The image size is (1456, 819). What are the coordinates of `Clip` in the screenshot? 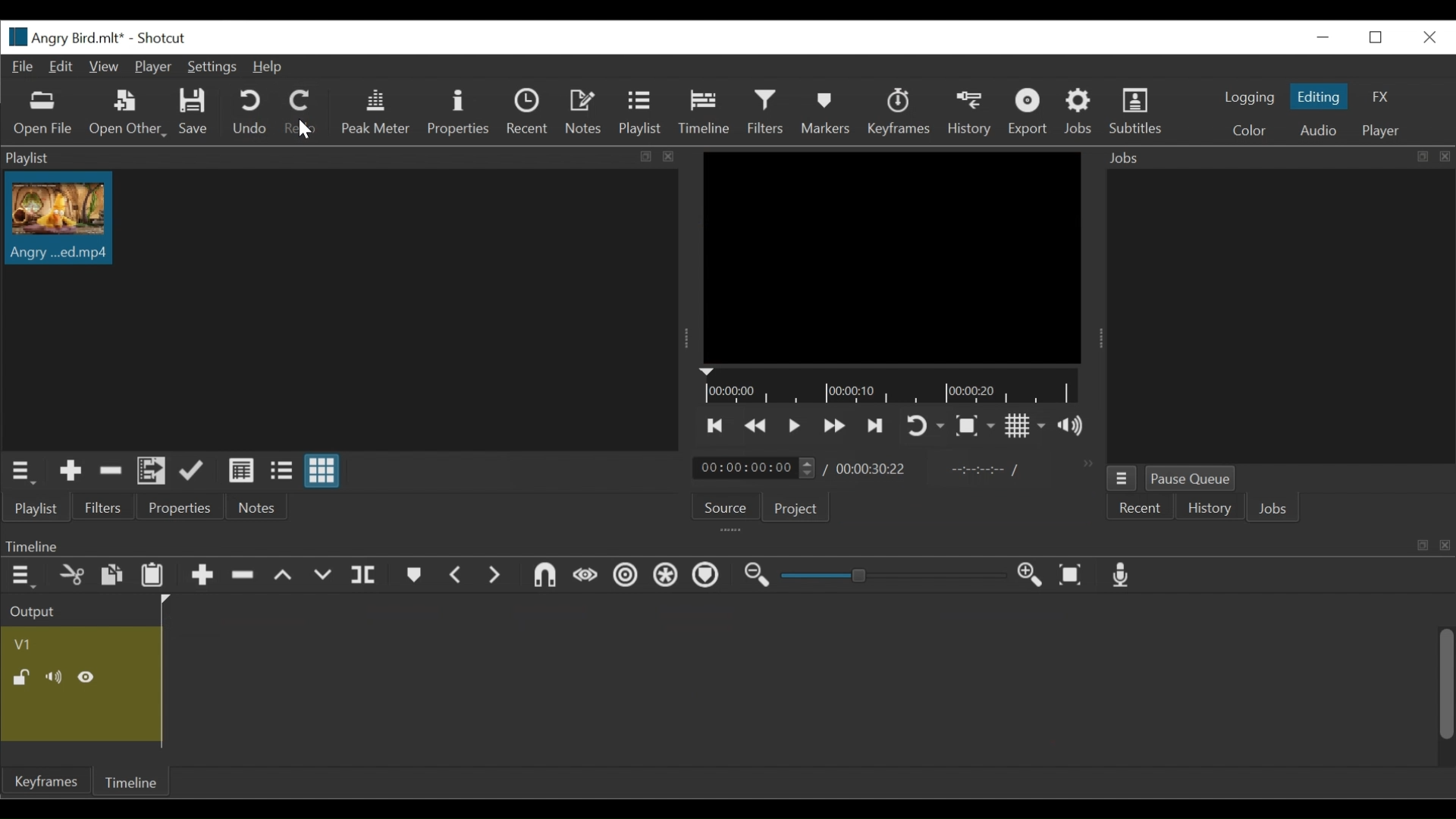 It's located at (609, 683).